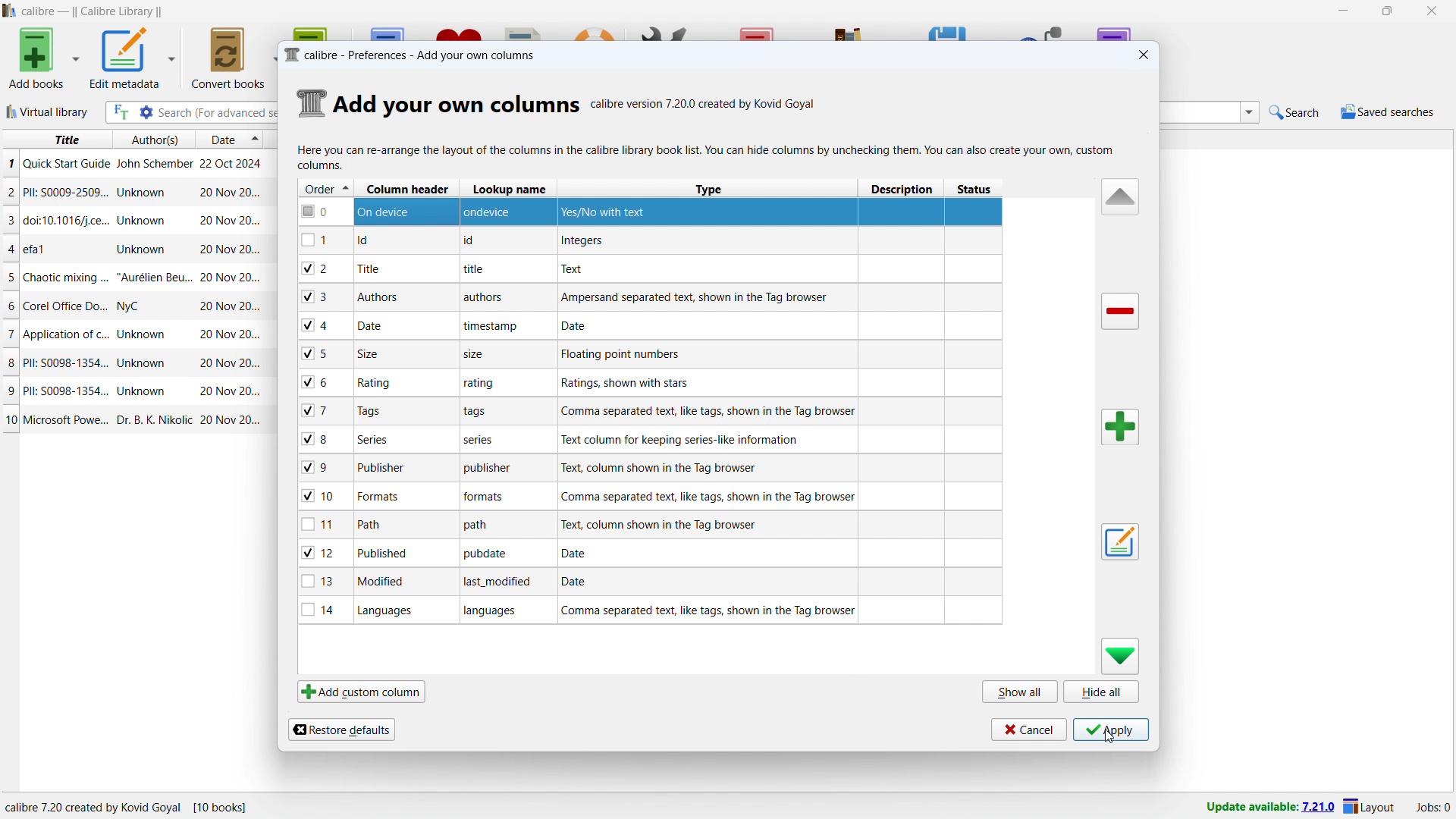  I want to click on calibre 7.20 created by Kovid goyal (10 books), so click(138, 805).